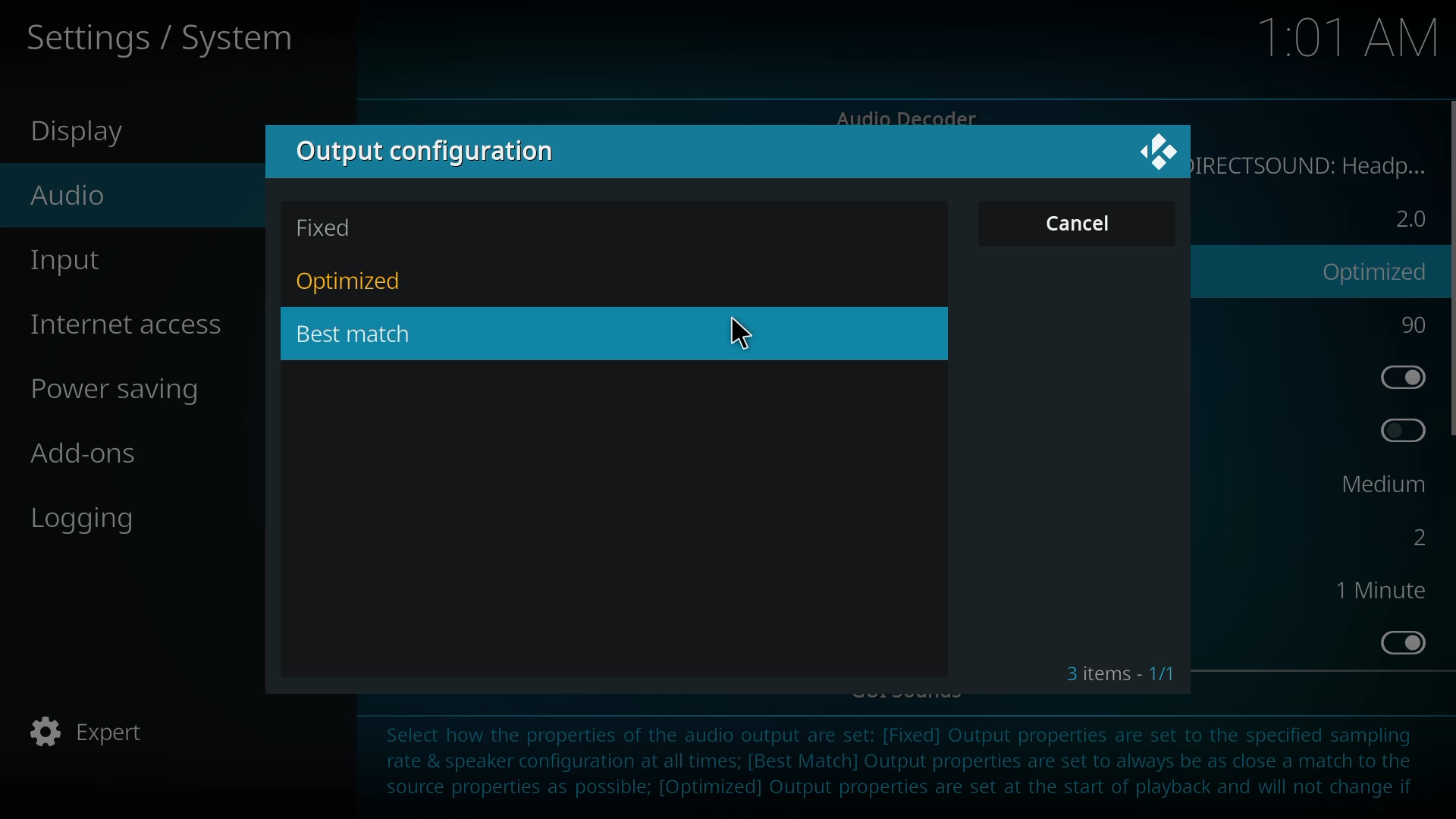  Describe the element at coordinates (1409, 219) in the screenshot. I see `2` at that location.